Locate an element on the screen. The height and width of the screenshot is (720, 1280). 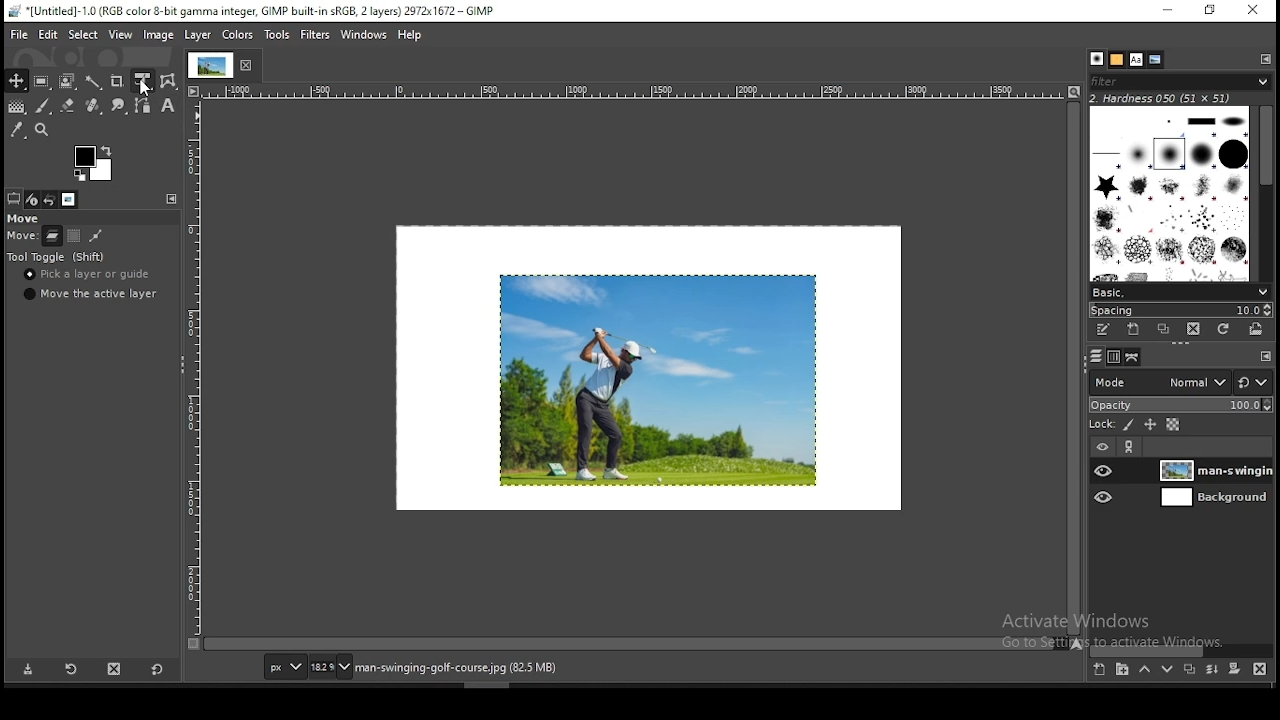
patterns is located at coordinates (1116, 59).